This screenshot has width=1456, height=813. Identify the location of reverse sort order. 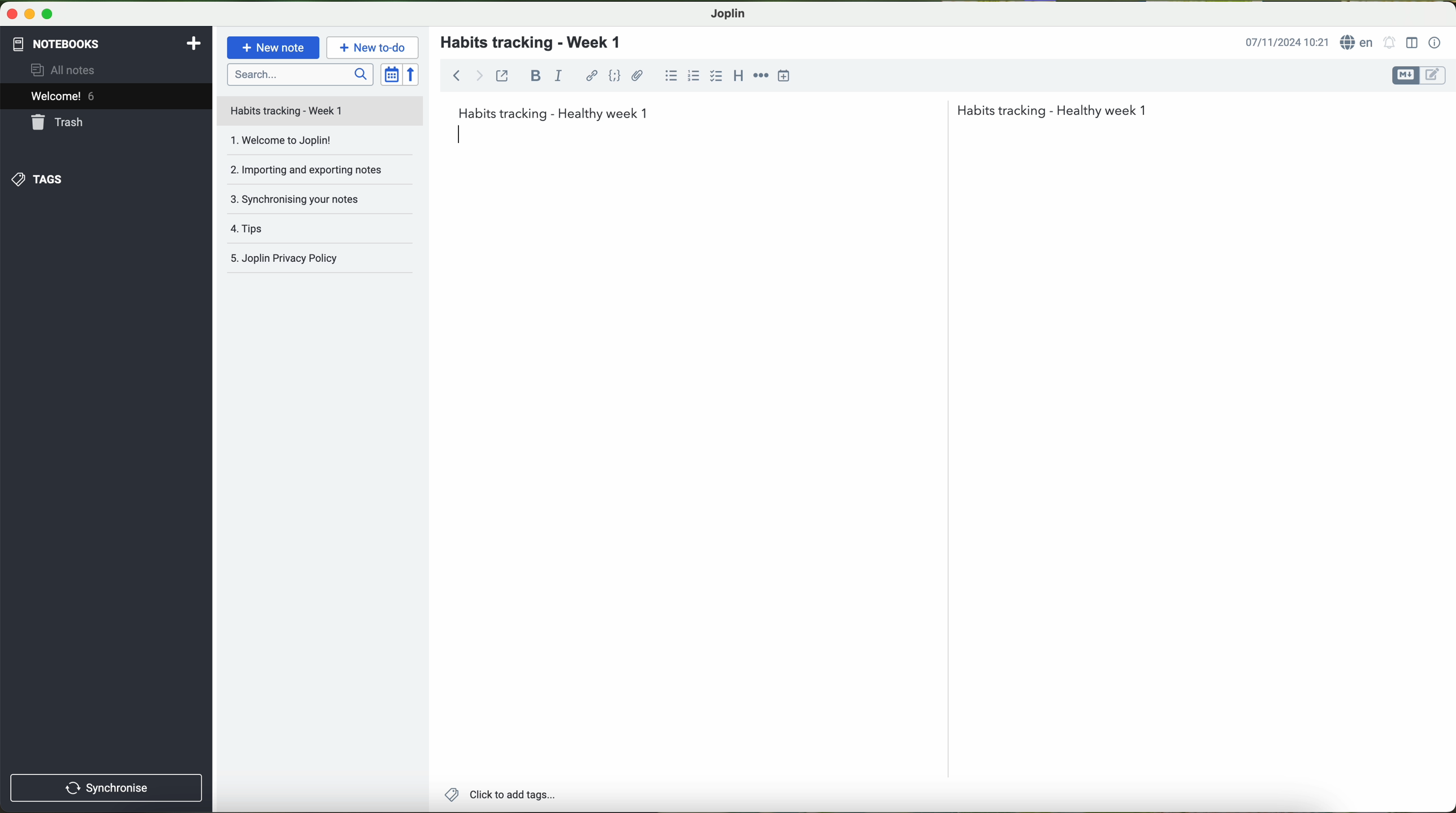
(412, 74).